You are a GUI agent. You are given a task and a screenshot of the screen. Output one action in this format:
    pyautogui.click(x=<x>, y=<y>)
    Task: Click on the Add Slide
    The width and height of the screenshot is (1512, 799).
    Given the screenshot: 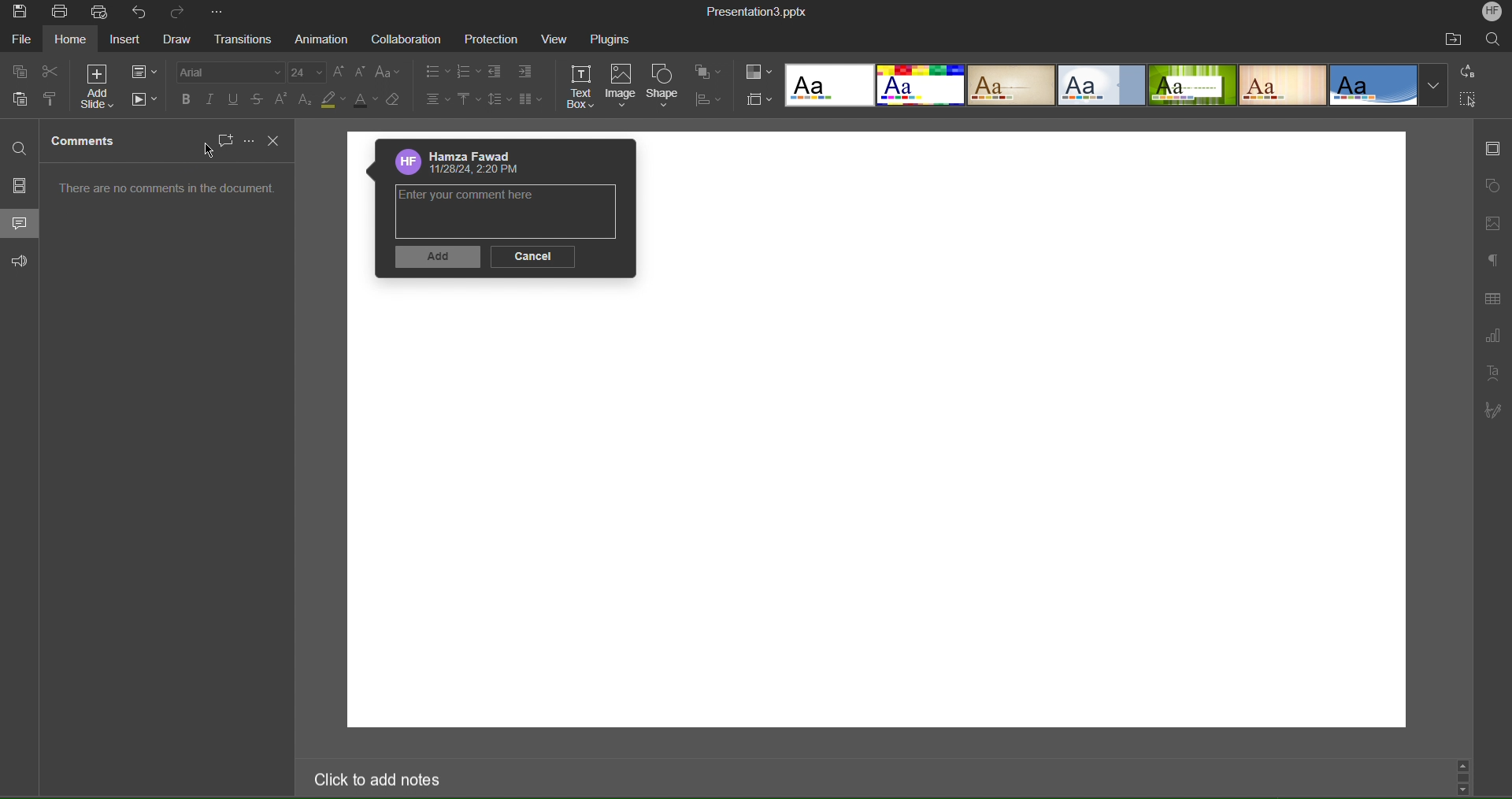 What is the action you would take?
    pyautogui.click(x=100, y=87)
    